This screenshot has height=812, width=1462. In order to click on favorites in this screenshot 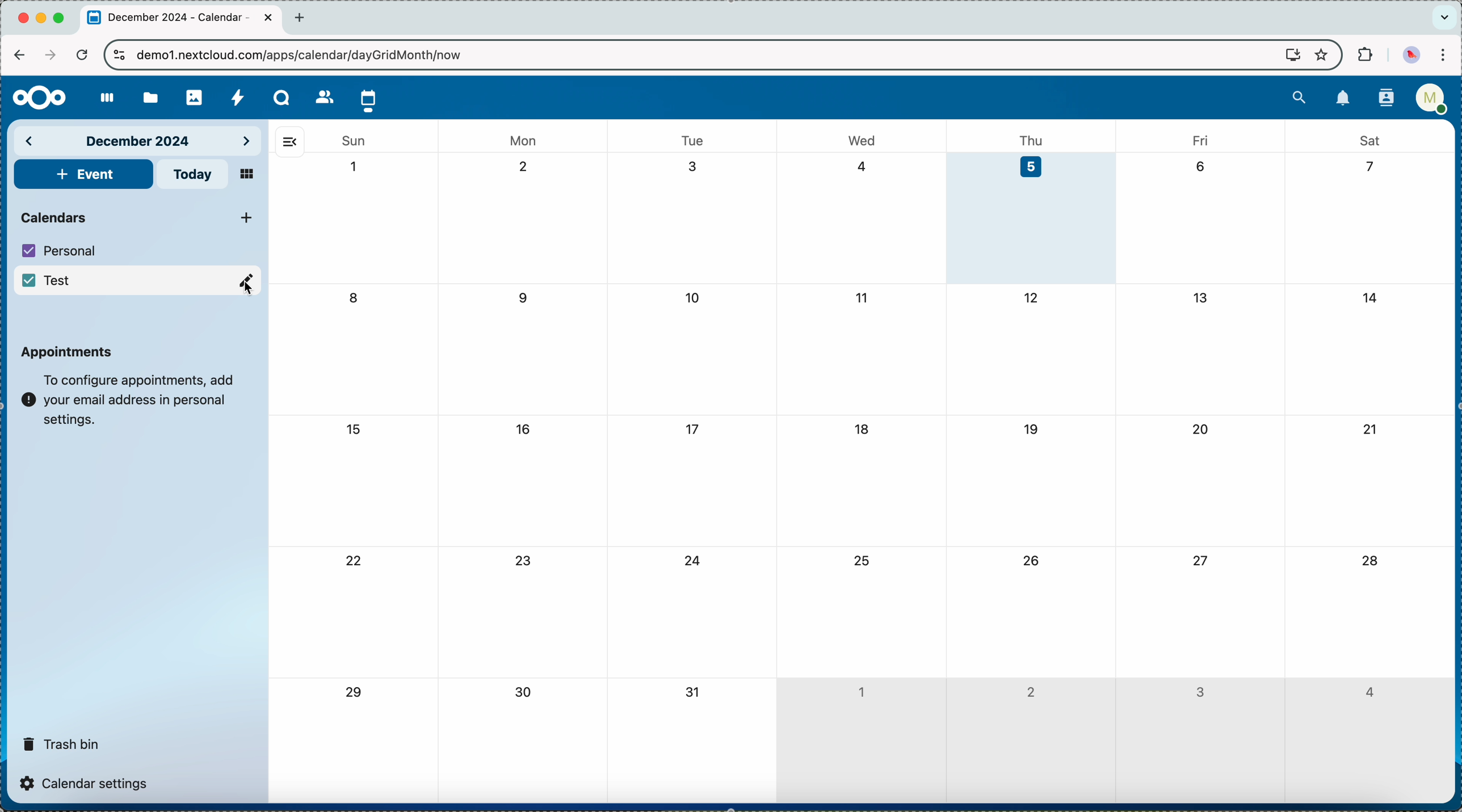, I will do `click(1320, 54)`.